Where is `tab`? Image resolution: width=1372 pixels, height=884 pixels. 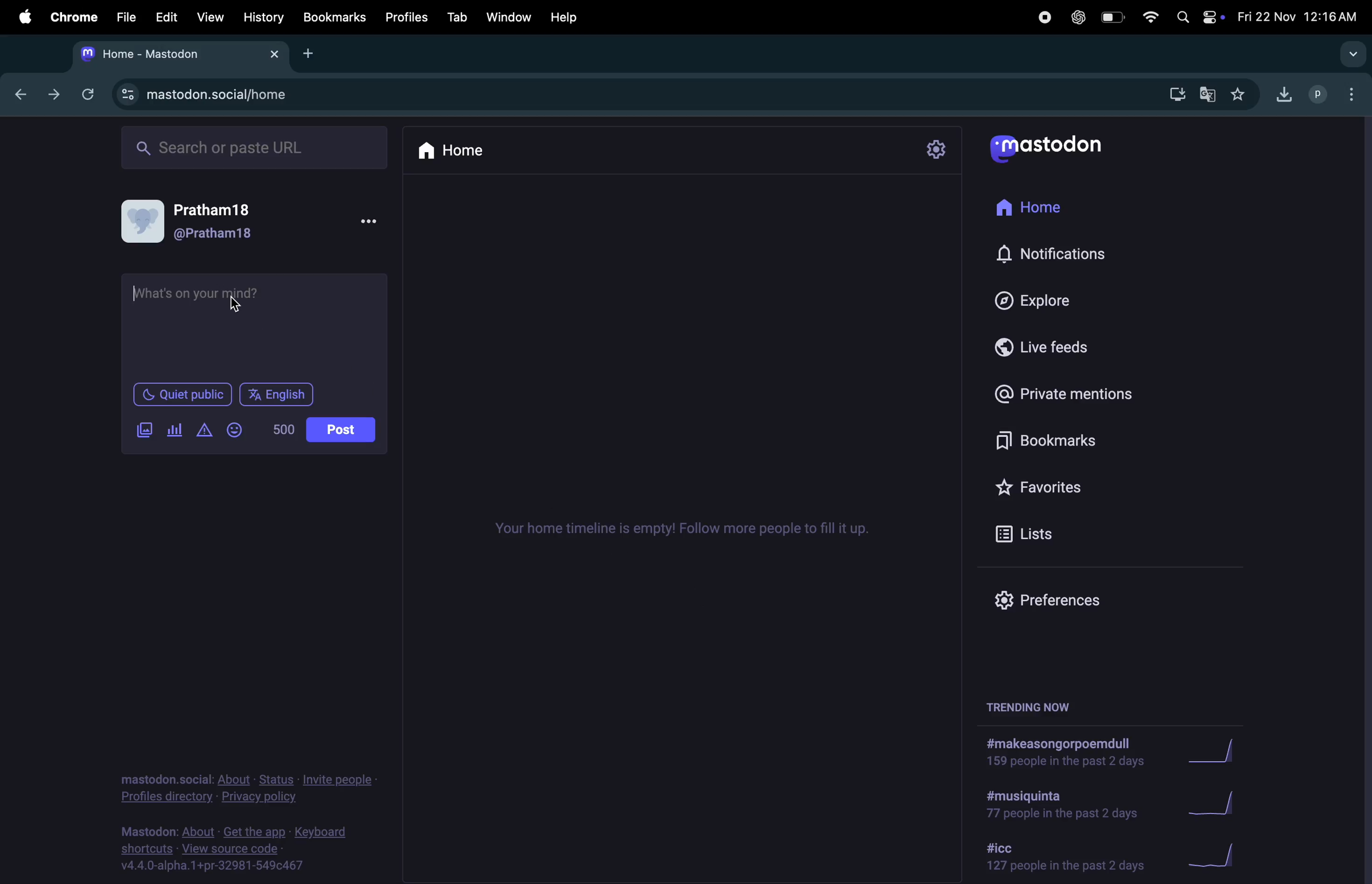
tab is located at coordinates (460, 15).